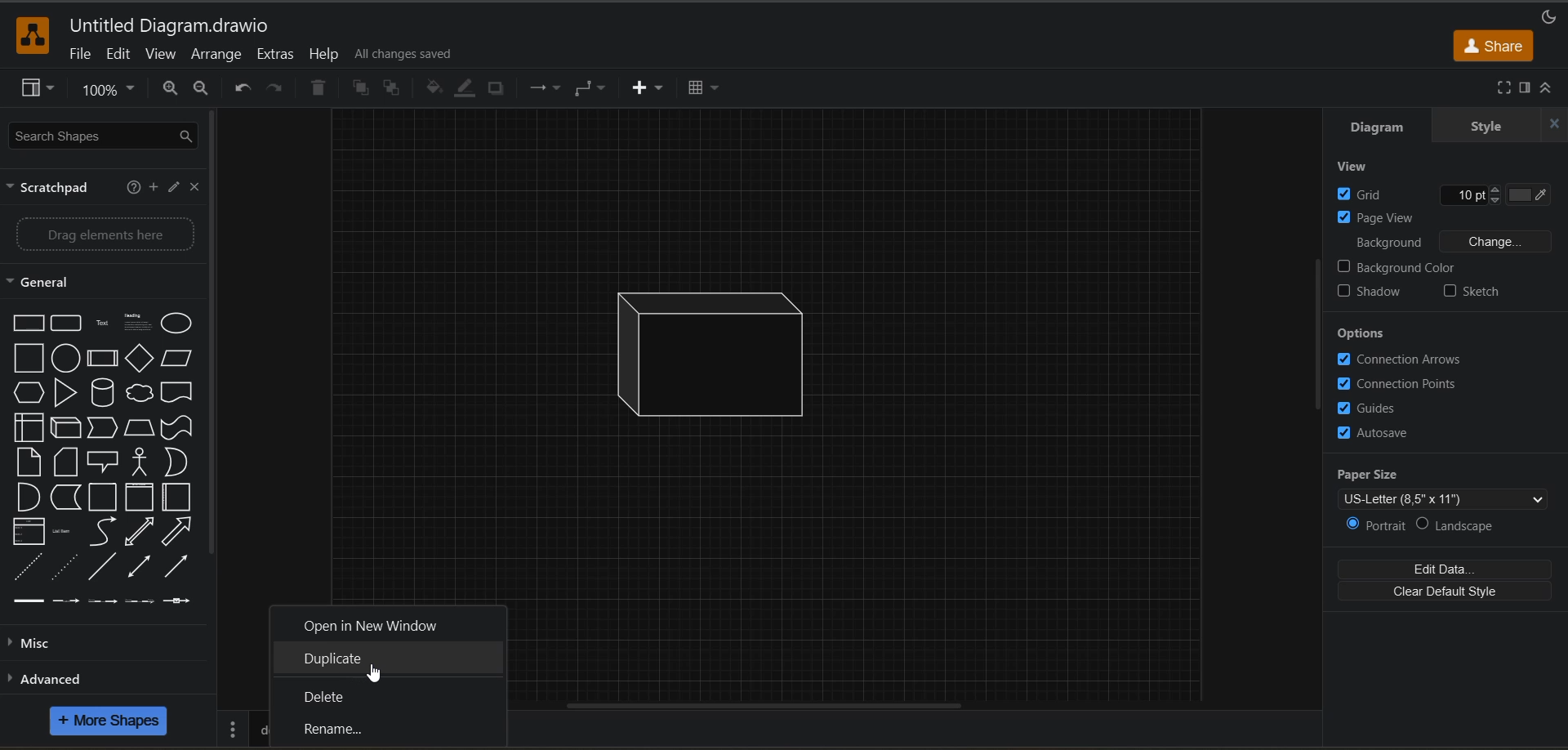  Describe the element at coordinates (243, 88) in the screenshot. I see `undo` at that location.